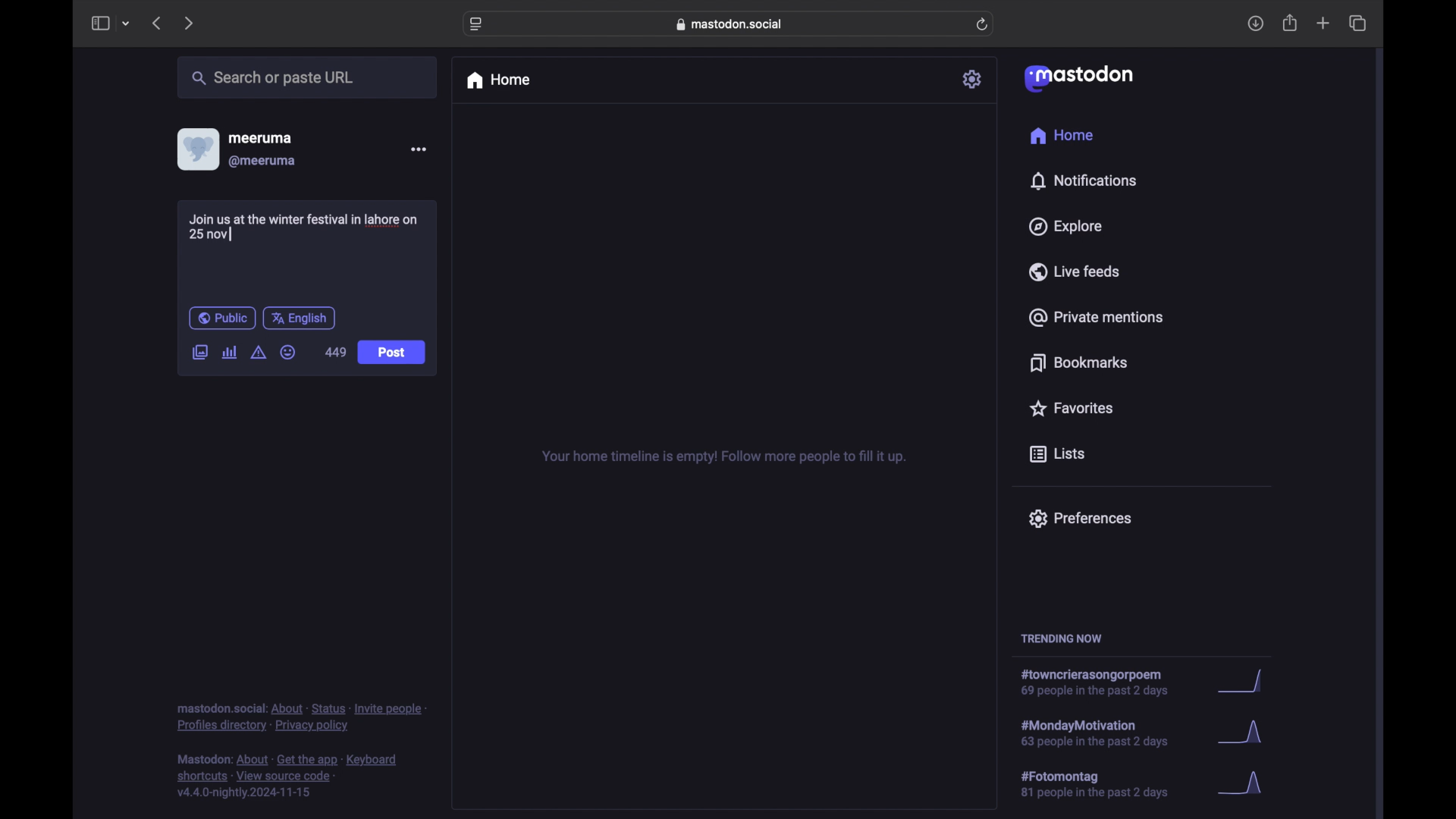 This screenshot has width=1456, height=819. I want to click on display picture, so click(196, 149).